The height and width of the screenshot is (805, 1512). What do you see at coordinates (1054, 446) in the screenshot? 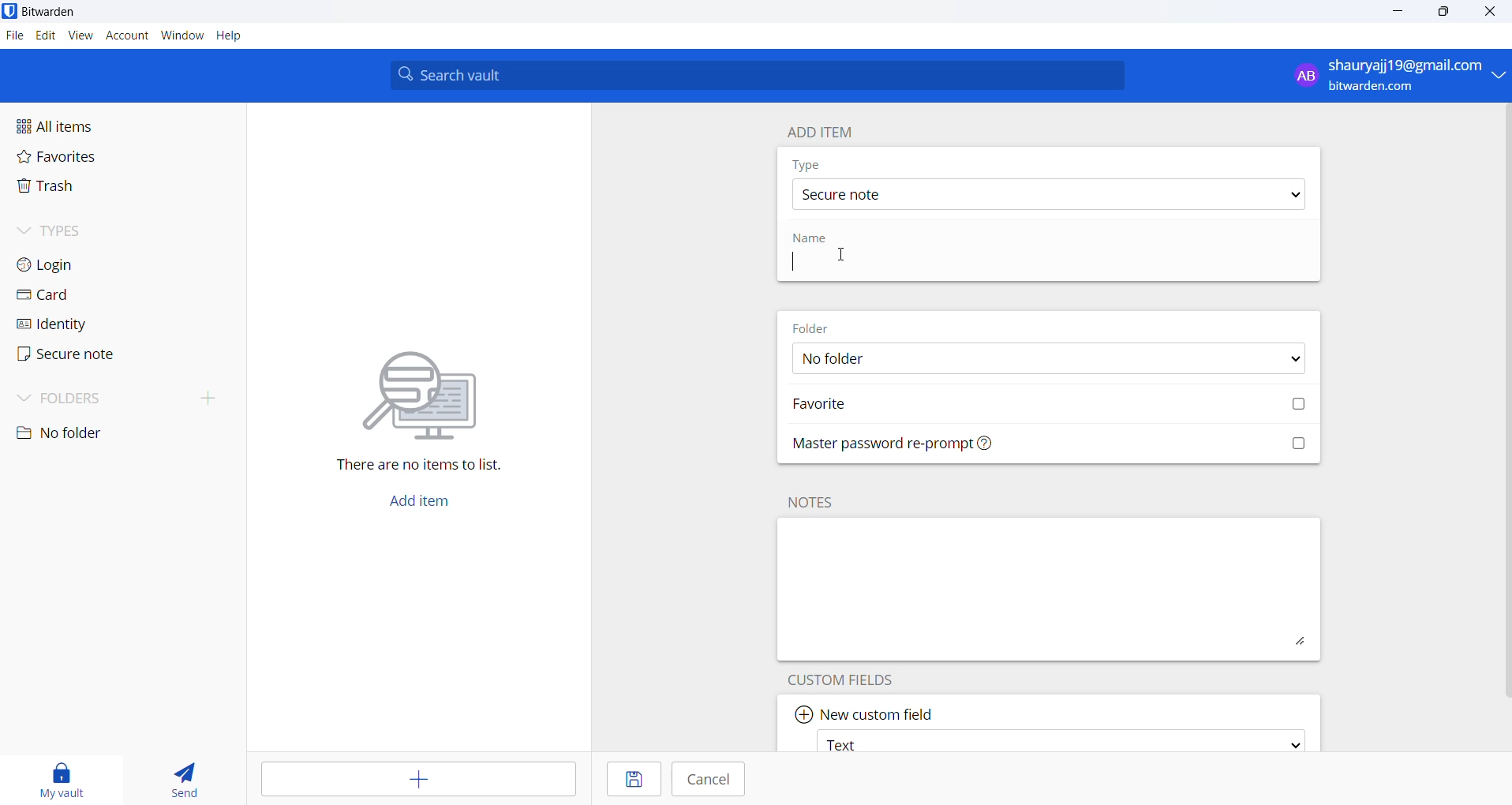
I see `master password re-prompt checkbox` at bounding box center [1054, 446].